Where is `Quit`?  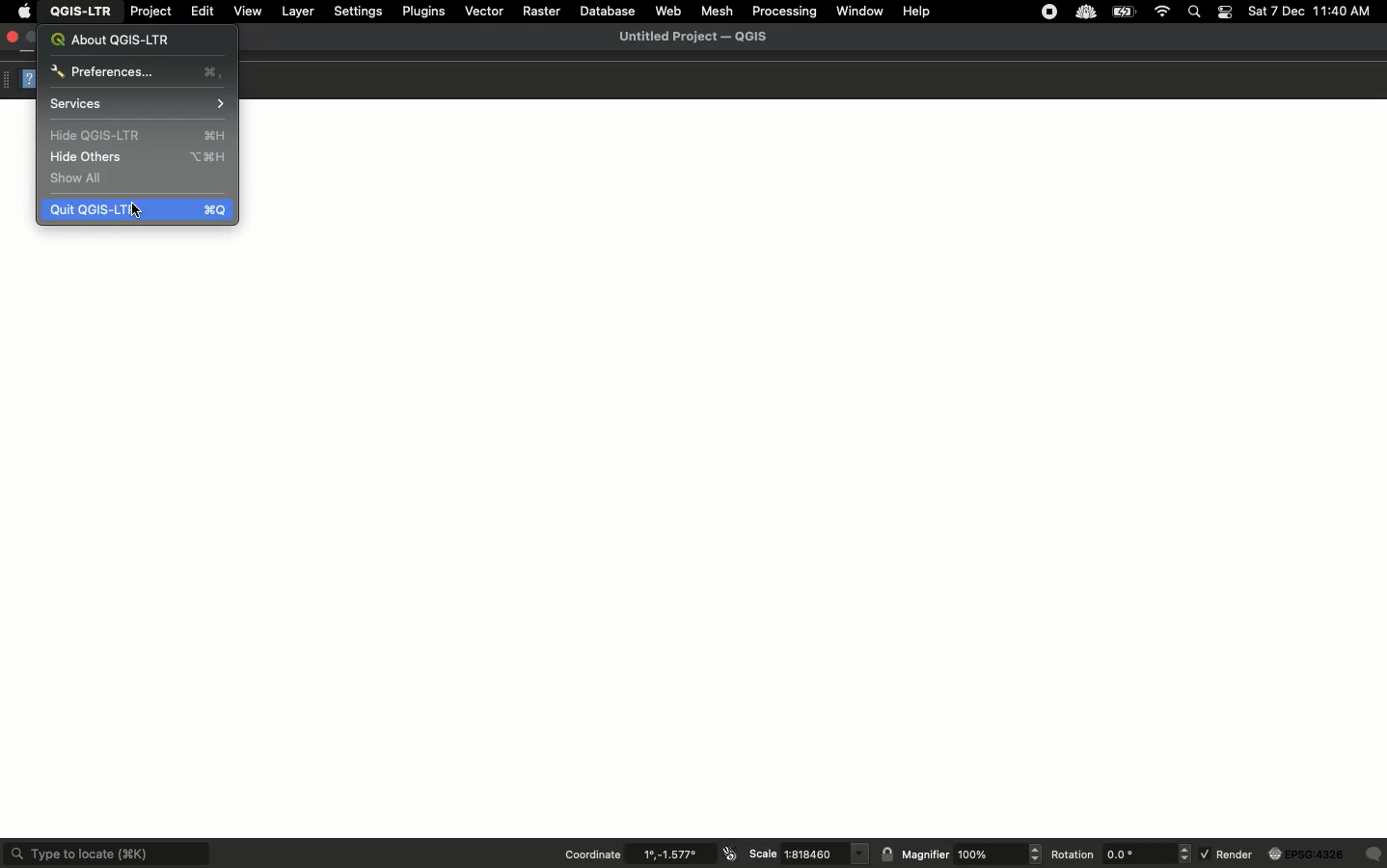 Quit is located at coordinates (140, 210).